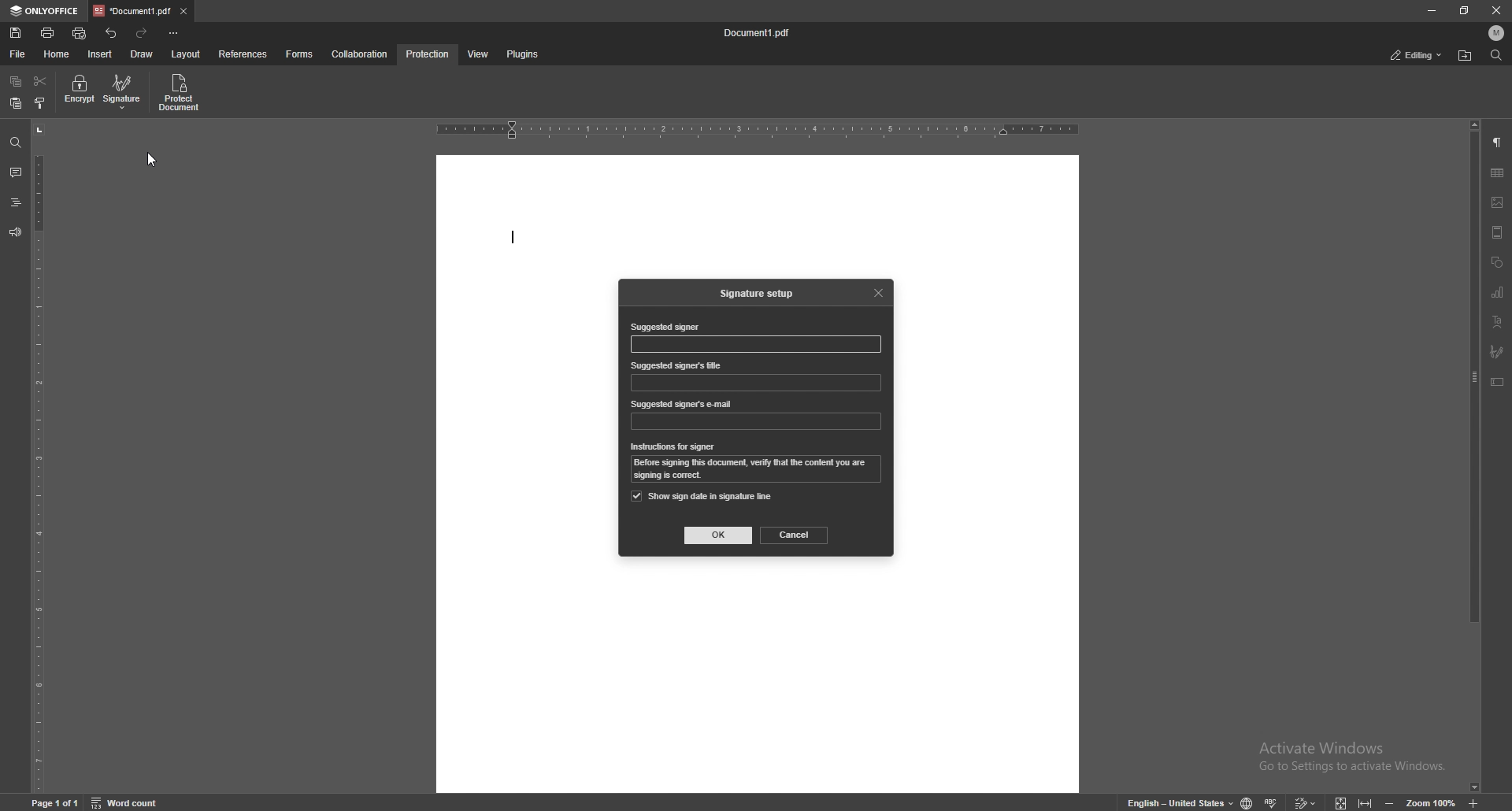 The width and height of the screenshot is (1512, 811). Describe the element at coordinates (880, 291) in the screenshot. I see `close` at that location.